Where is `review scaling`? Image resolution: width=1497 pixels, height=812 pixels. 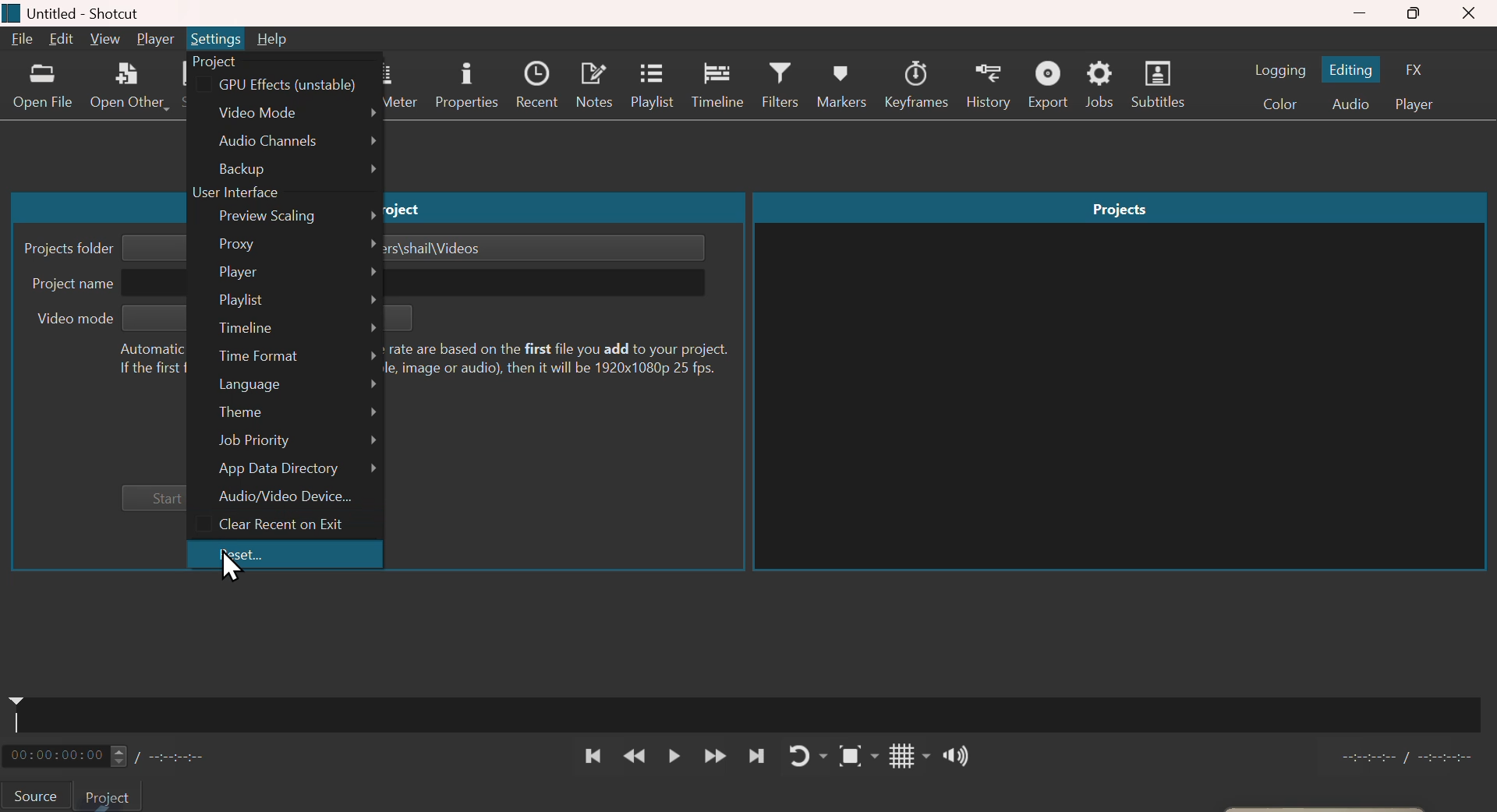 review scaling is located at coordinates (282, 218).